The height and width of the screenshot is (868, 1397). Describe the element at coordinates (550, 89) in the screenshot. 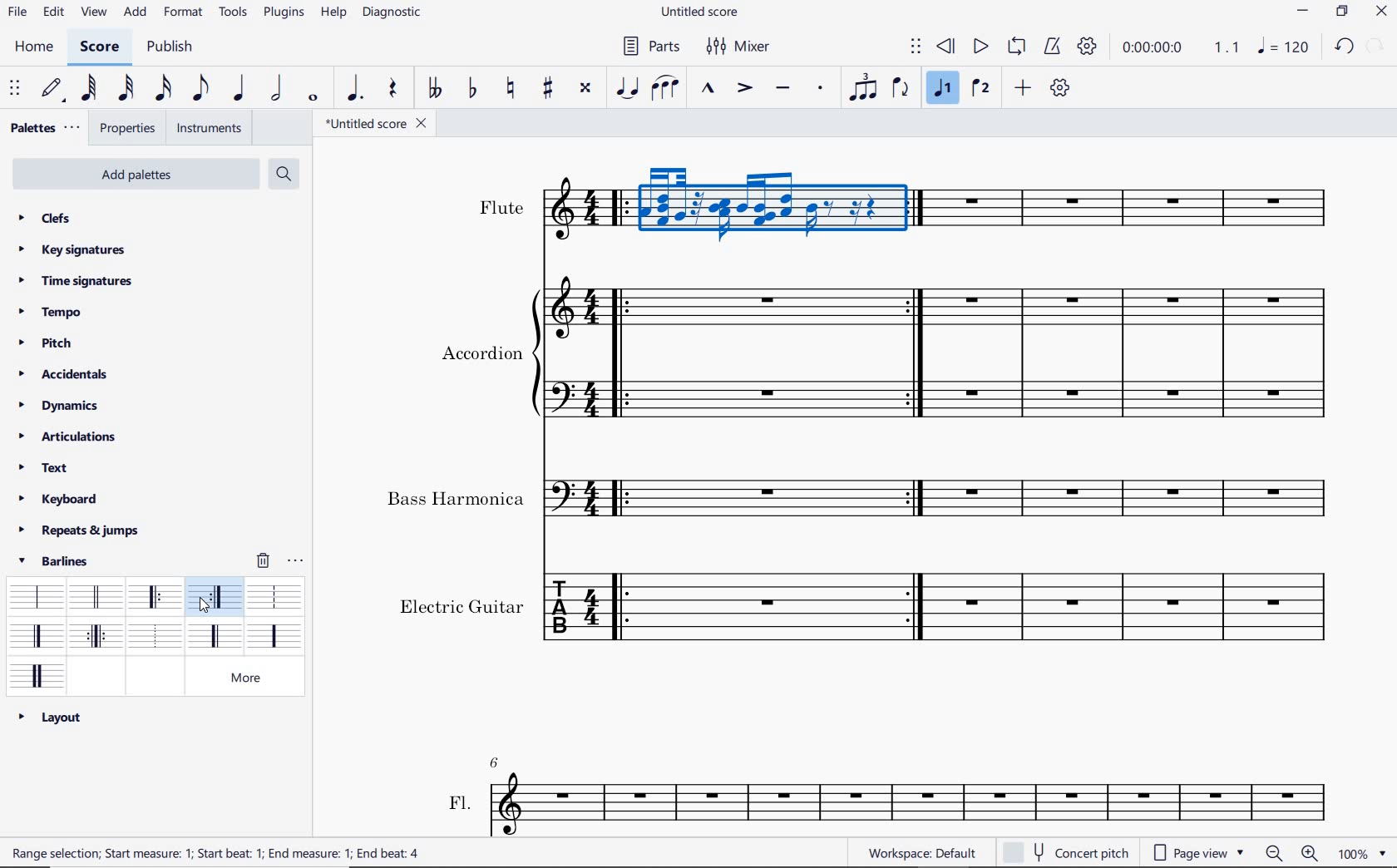

I see `toggle sharp` at that location.